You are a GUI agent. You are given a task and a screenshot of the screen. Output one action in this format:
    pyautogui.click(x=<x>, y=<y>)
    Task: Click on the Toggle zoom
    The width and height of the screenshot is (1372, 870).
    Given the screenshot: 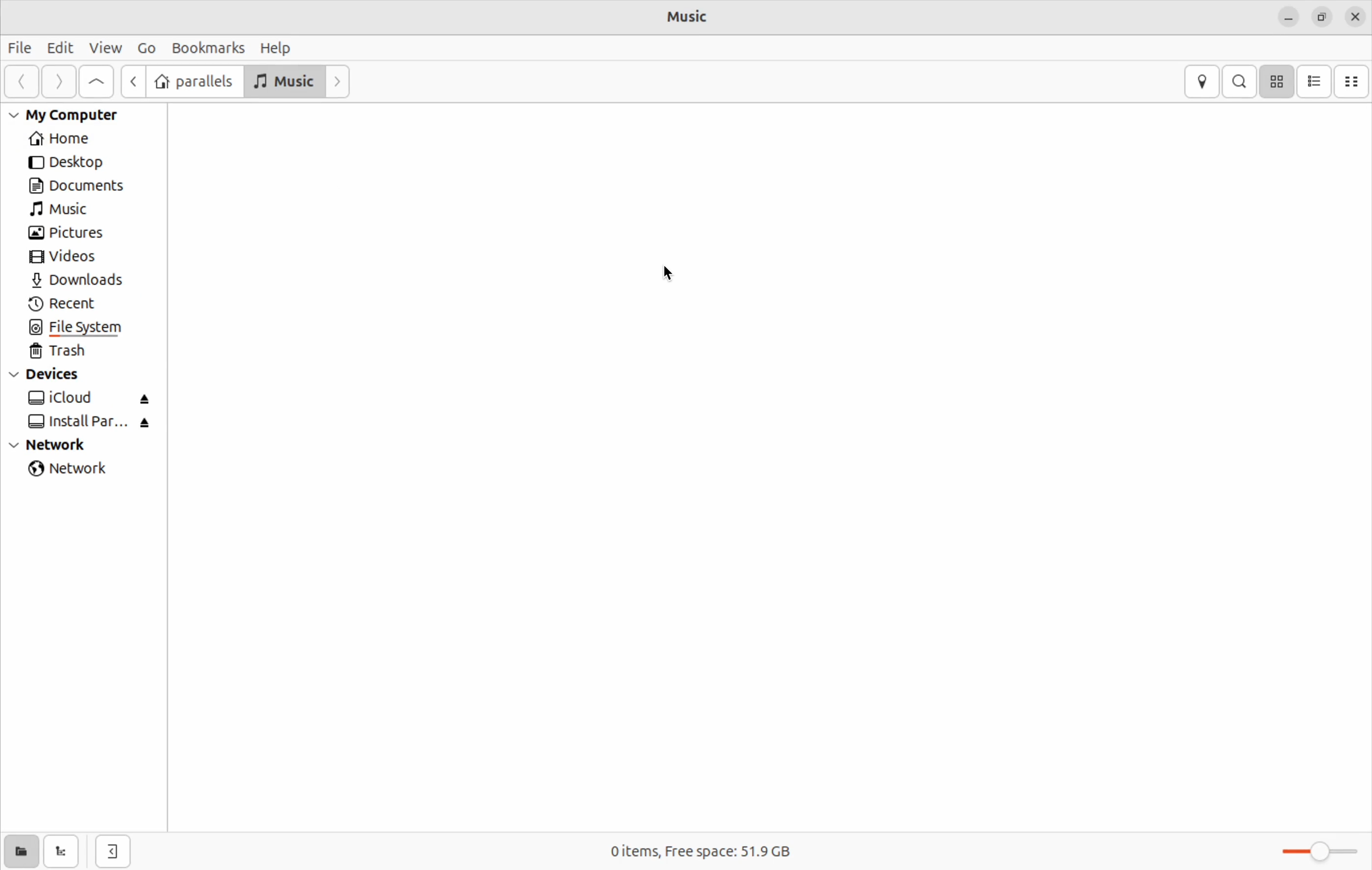 What is the action you would take?
    pyautogui.click(x=1318, y=855)
    